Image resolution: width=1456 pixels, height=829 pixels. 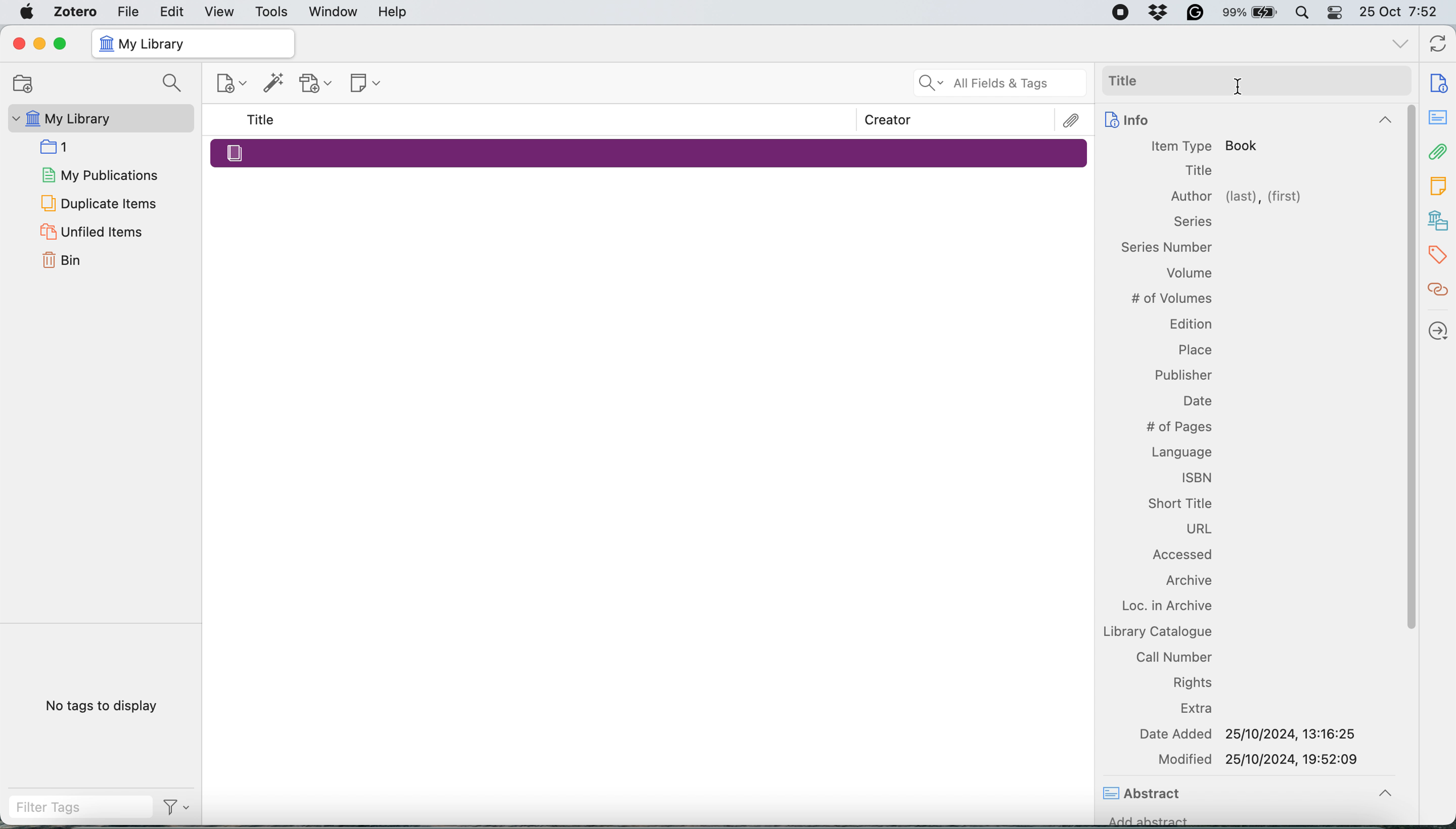 I want to click on 99% Battery, so click(x=1250, y=13).